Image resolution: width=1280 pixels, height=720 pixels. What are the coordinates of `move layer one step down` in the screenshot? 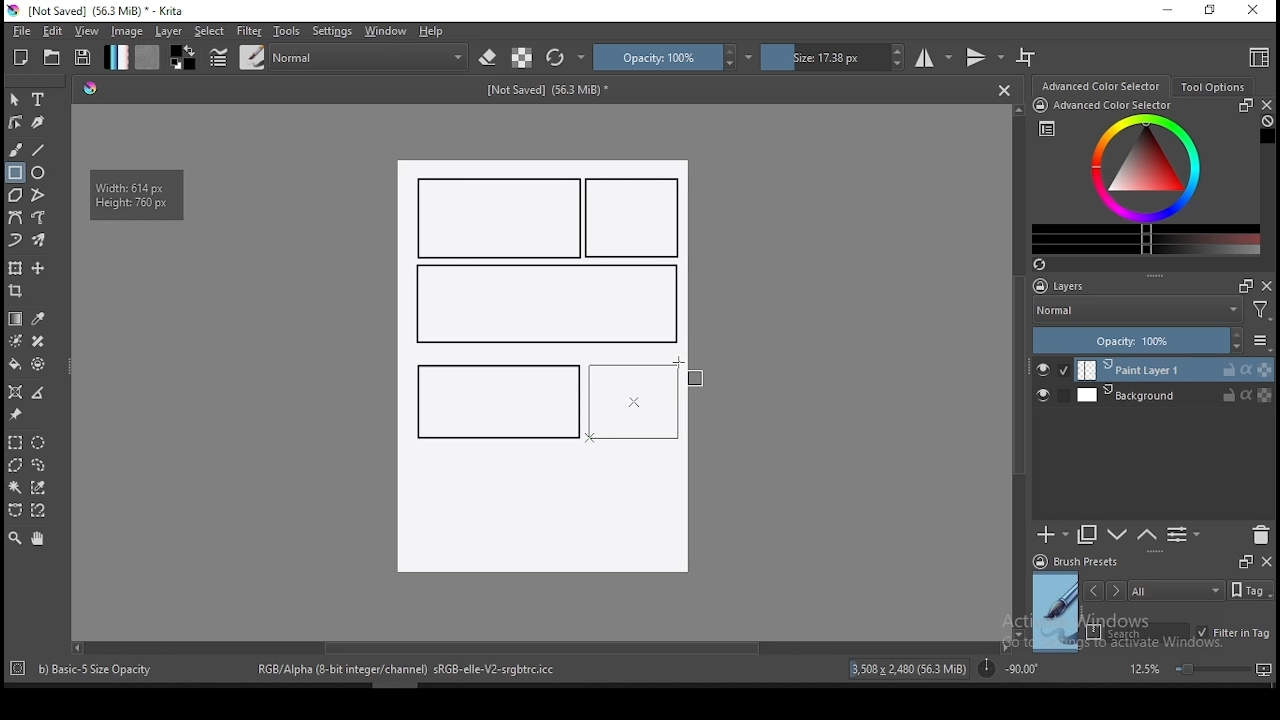 It's located at (1147, 535).